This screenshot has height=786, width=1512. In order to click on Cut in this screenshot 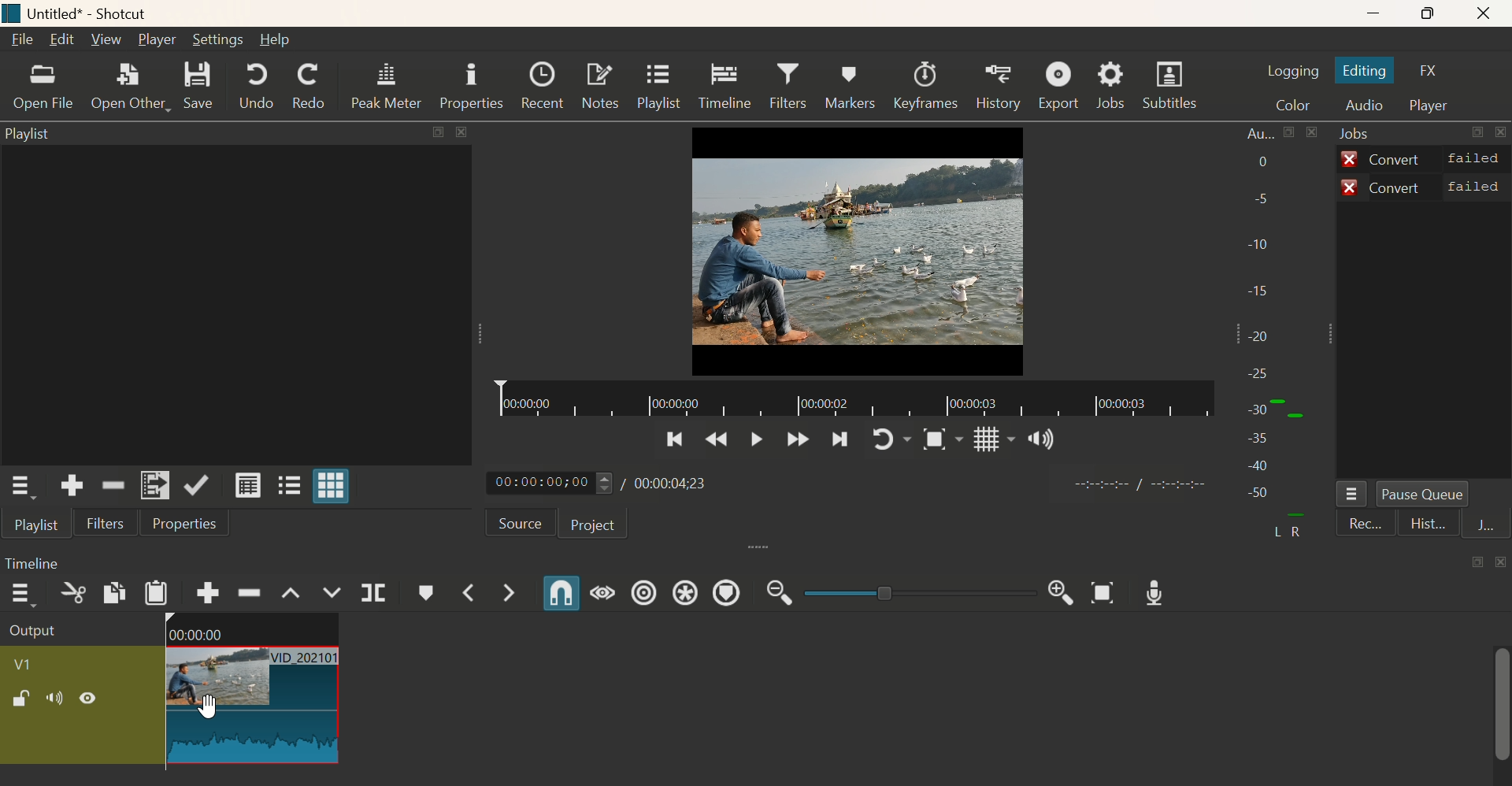, I will do `click(72, 598)`.